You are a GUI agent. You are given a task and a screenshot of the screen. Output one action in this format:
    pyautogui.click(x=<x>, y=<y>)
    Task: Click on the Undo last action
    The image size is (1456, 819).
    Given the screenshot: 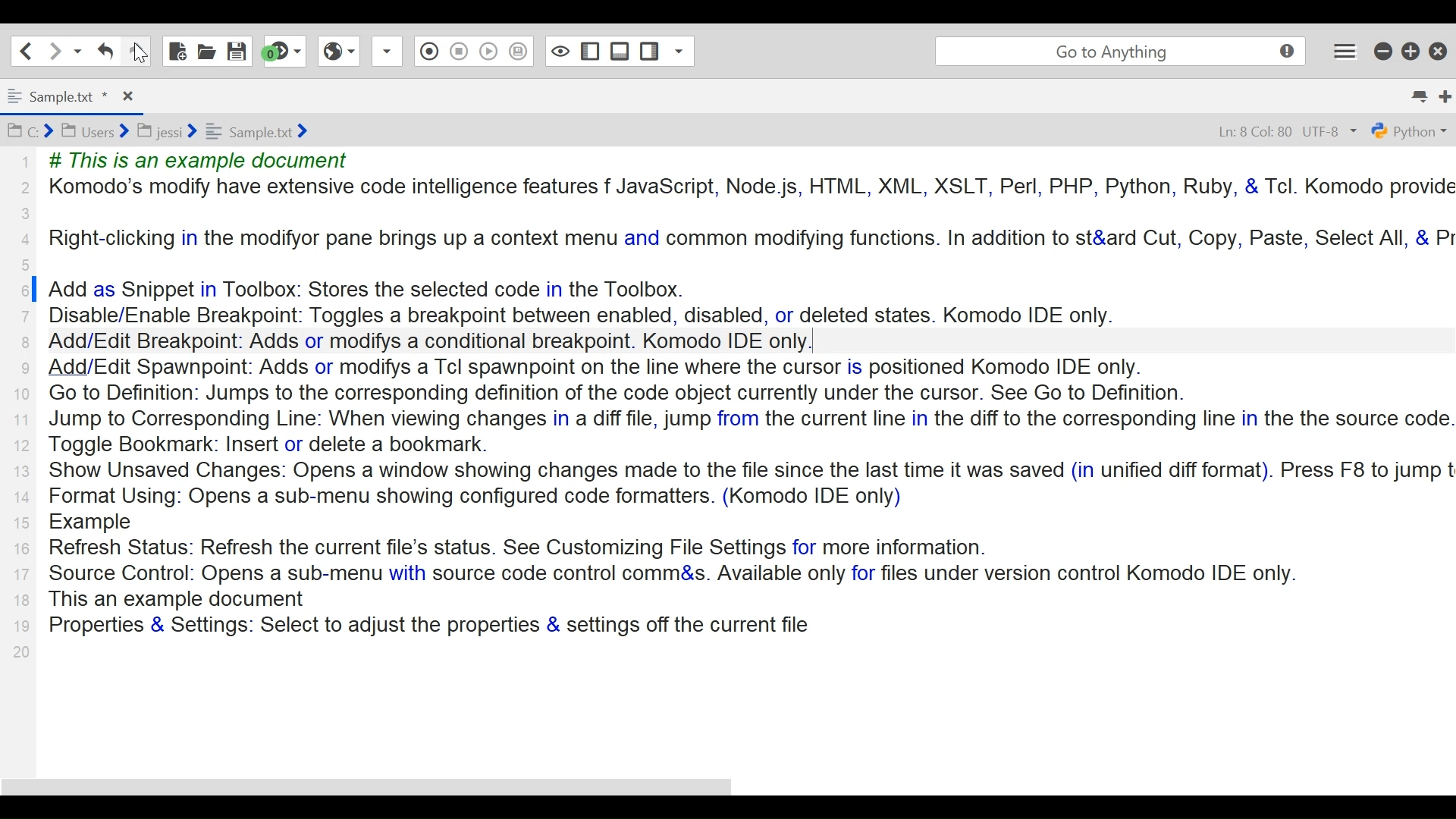 What is the action you would take?
    pyautogui.click(x=105, y=51)
    